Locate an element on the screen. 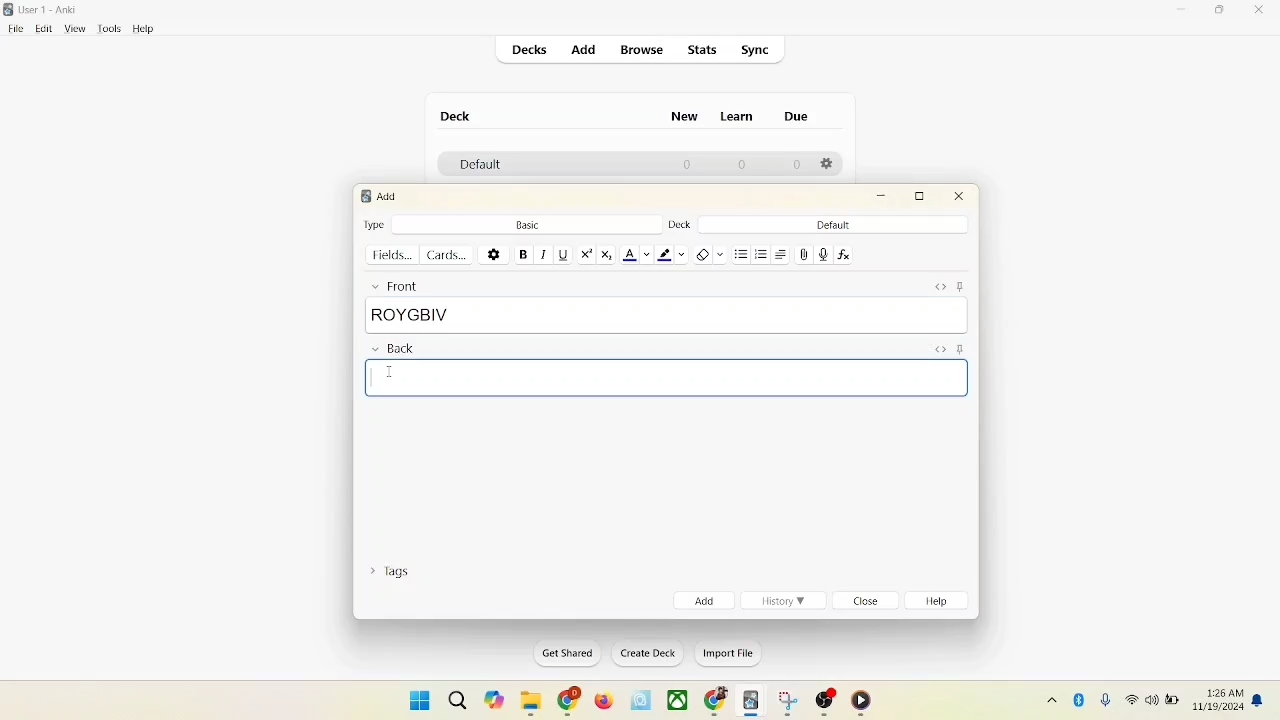  edit is located at coordinates (41, 28).